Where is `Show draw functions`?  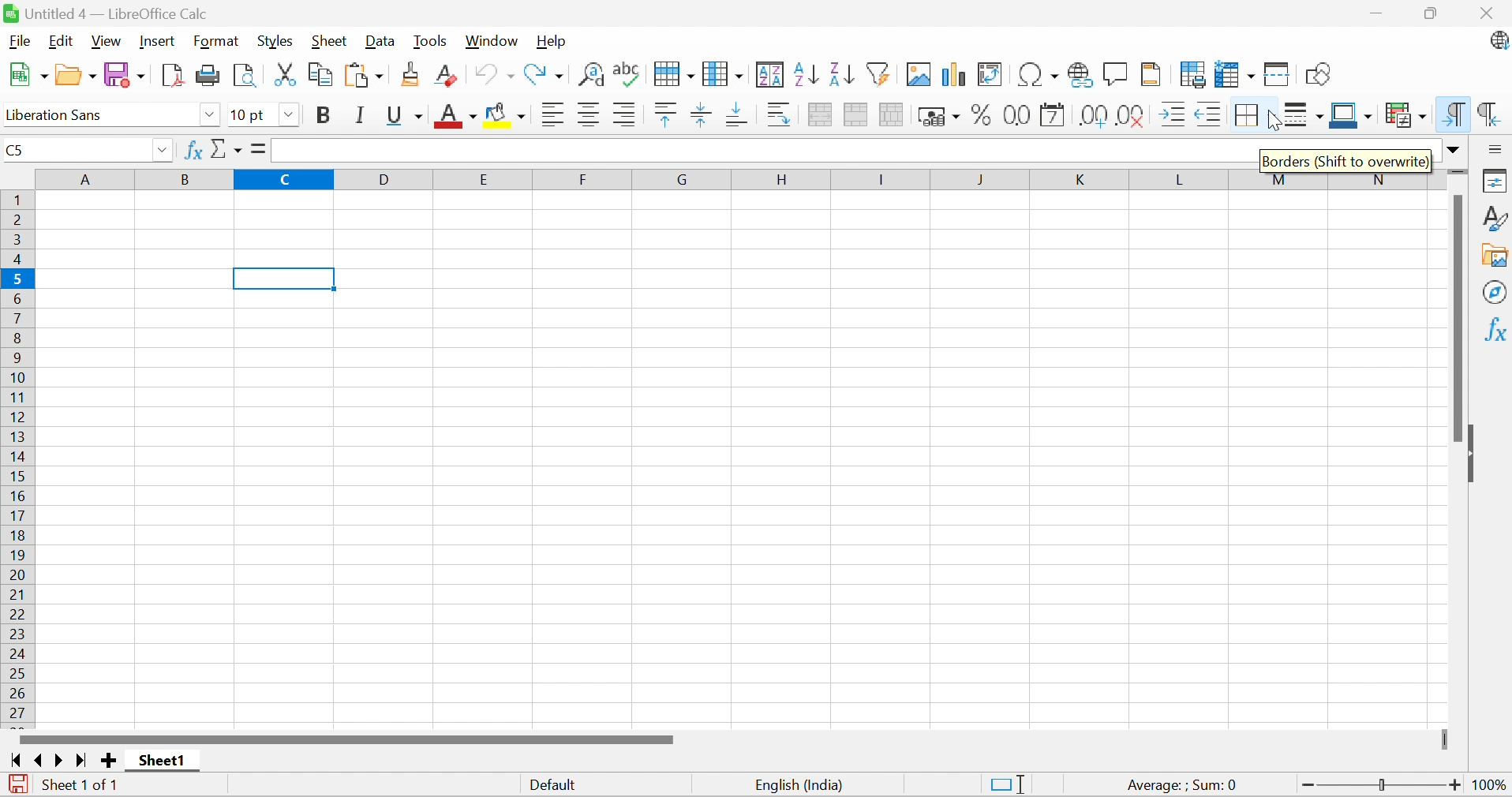
Show draw functions is located at coordinates (1320, 73).